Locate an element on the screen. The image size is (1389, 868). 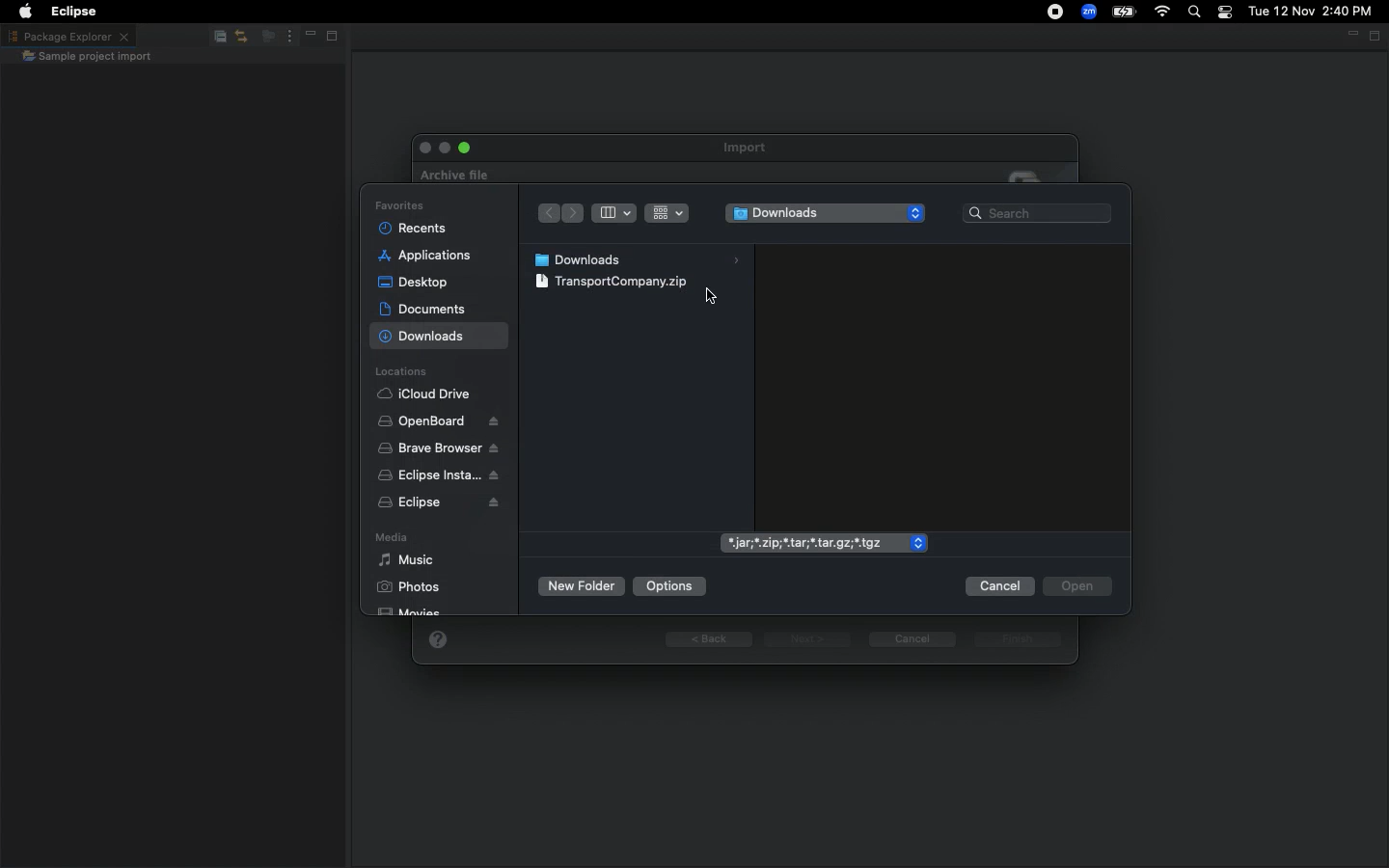
Maximize is located at coordinates (330, 39).